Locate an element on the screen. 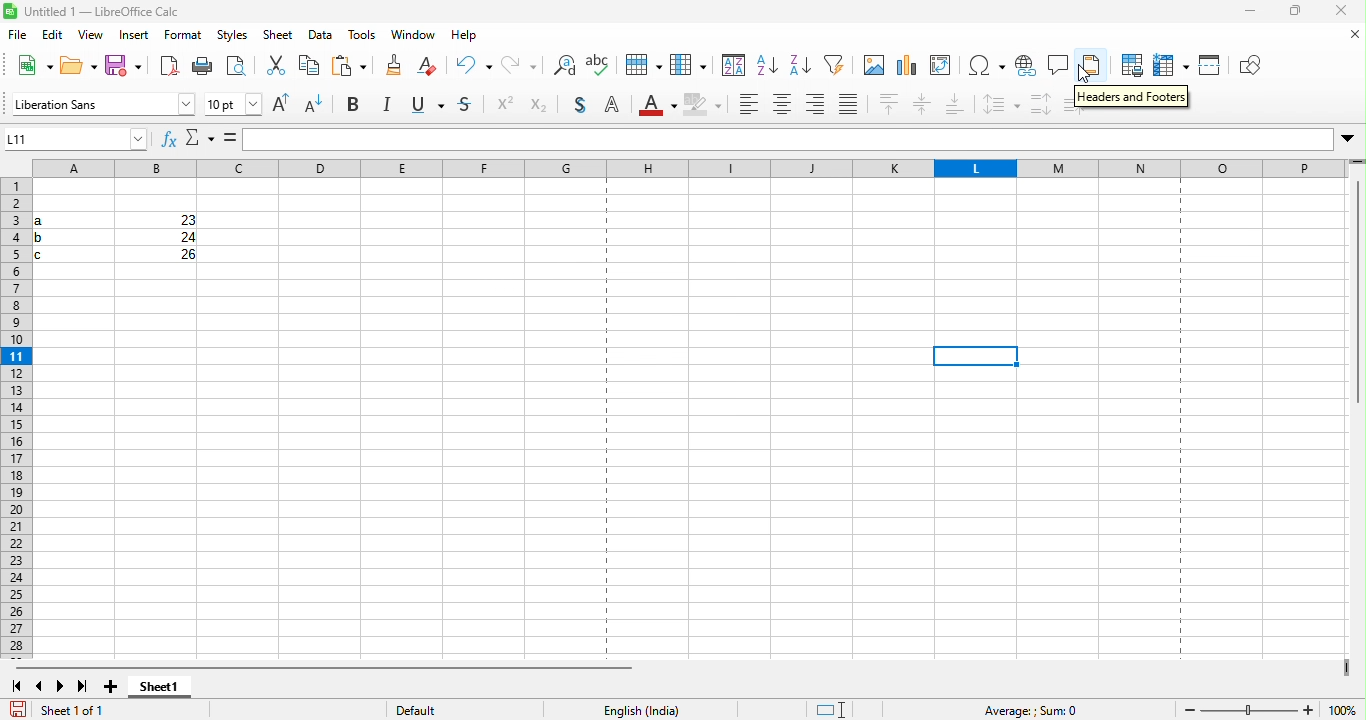  align bottom is located at coordinates (959, 105).